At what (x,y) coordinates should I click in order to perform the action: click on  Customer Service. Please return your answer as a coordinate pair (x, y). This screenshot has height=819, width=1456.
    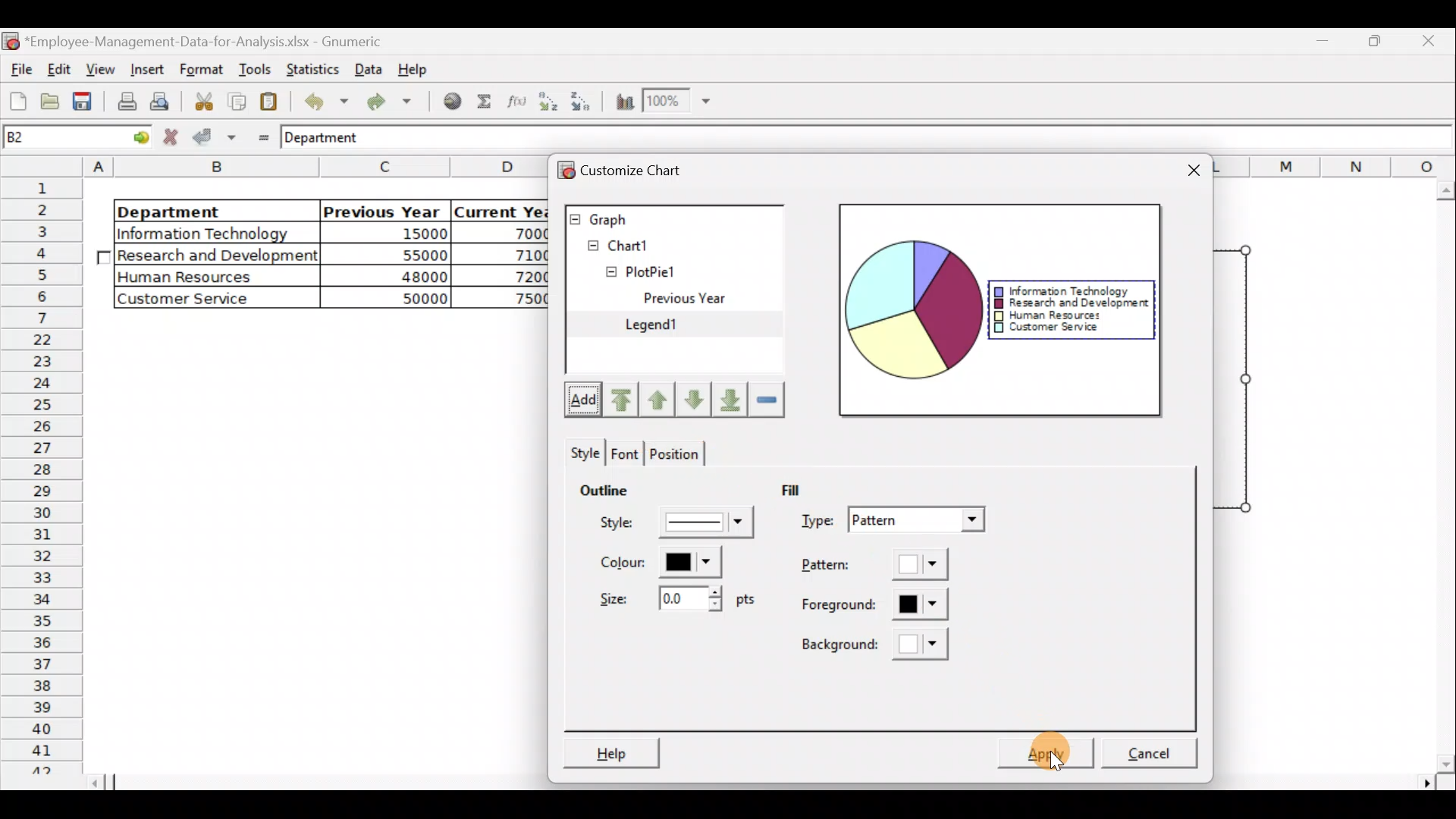
    Looking at the image, I should click on (1051, 330).